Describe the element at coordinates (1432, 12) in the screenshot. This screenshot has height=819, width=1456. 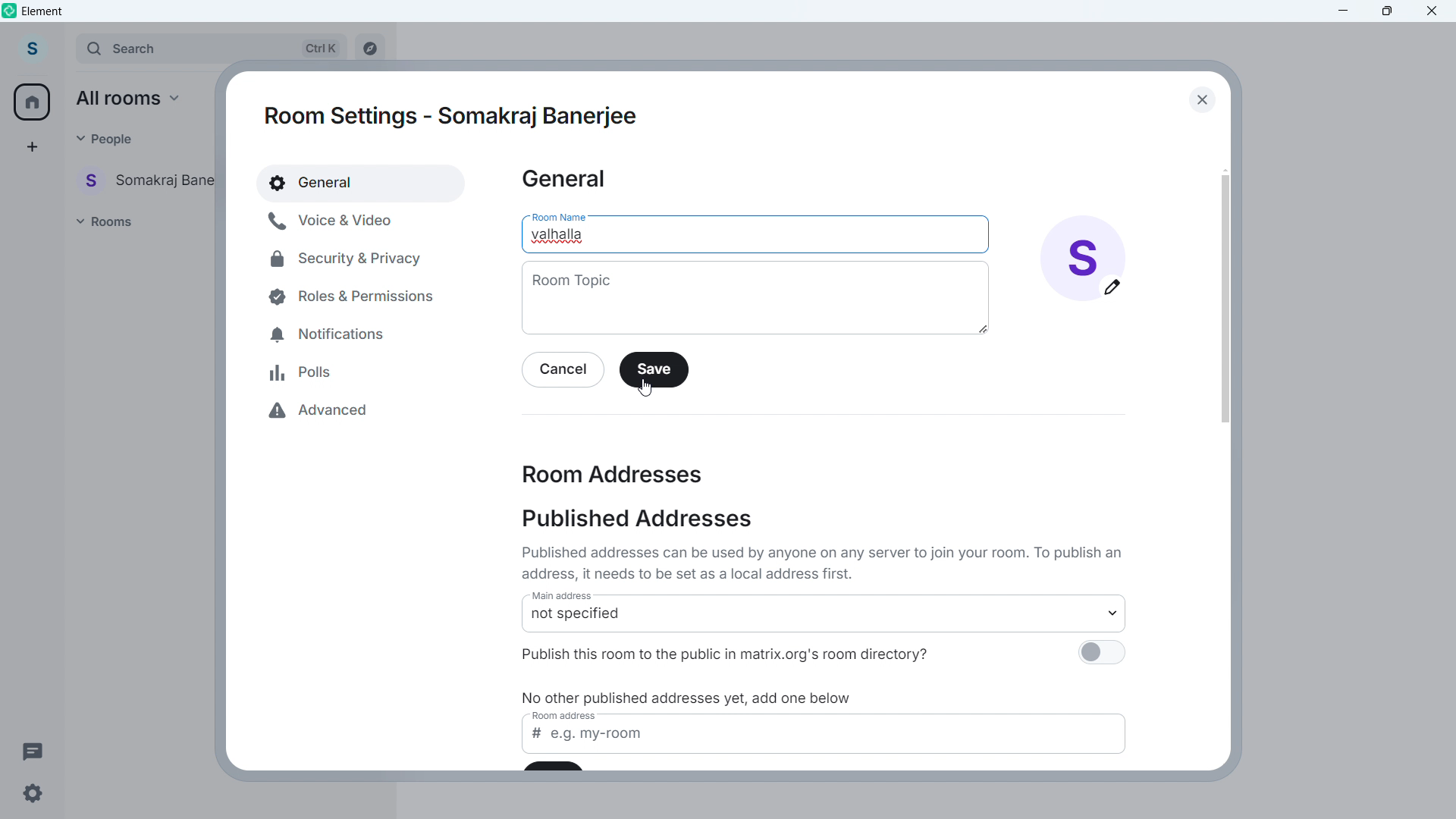
I see `Close ` at that location.